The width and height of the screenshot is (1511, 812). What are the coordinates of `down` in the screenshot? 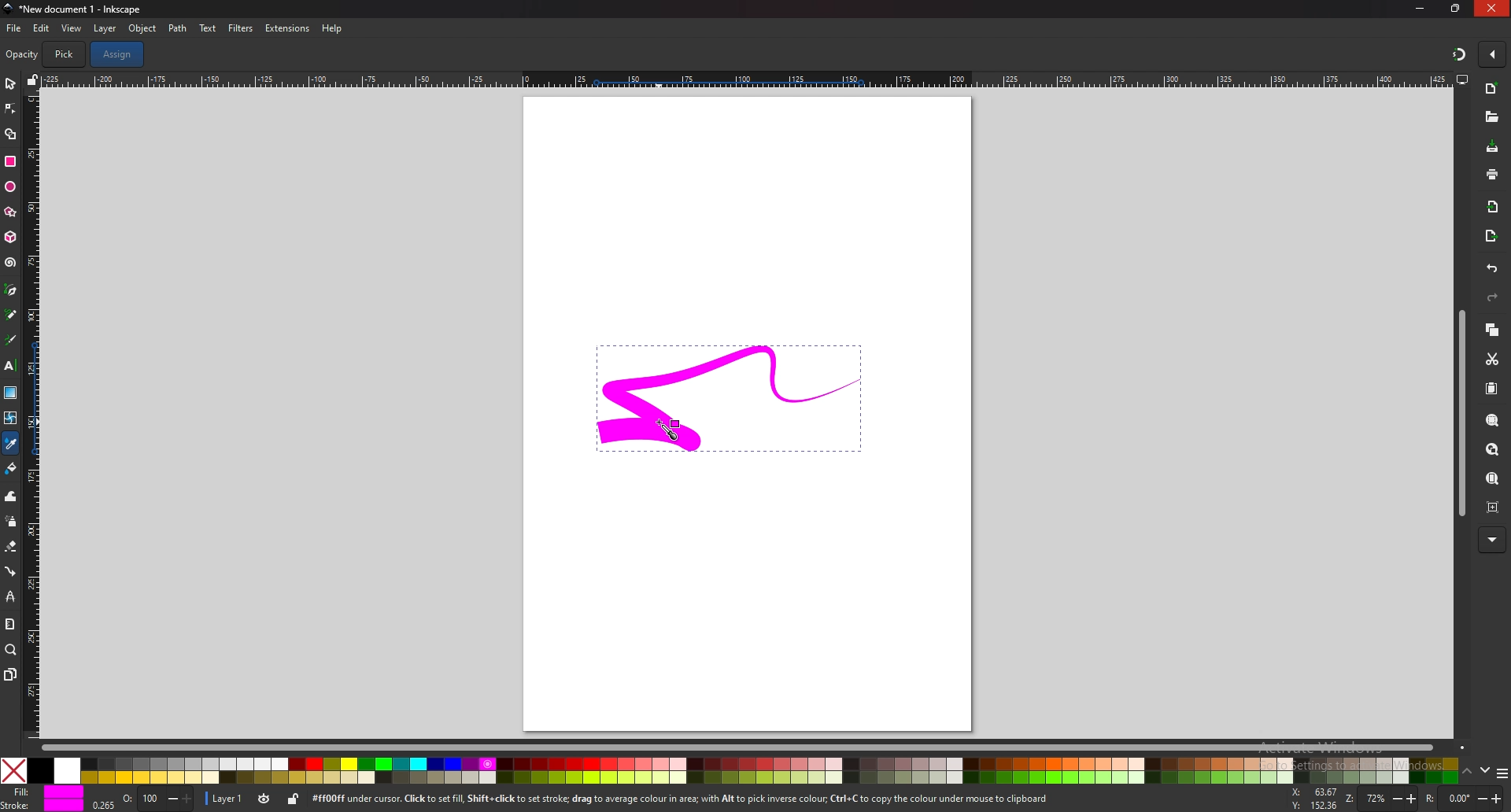 It's located at (1485, 770).